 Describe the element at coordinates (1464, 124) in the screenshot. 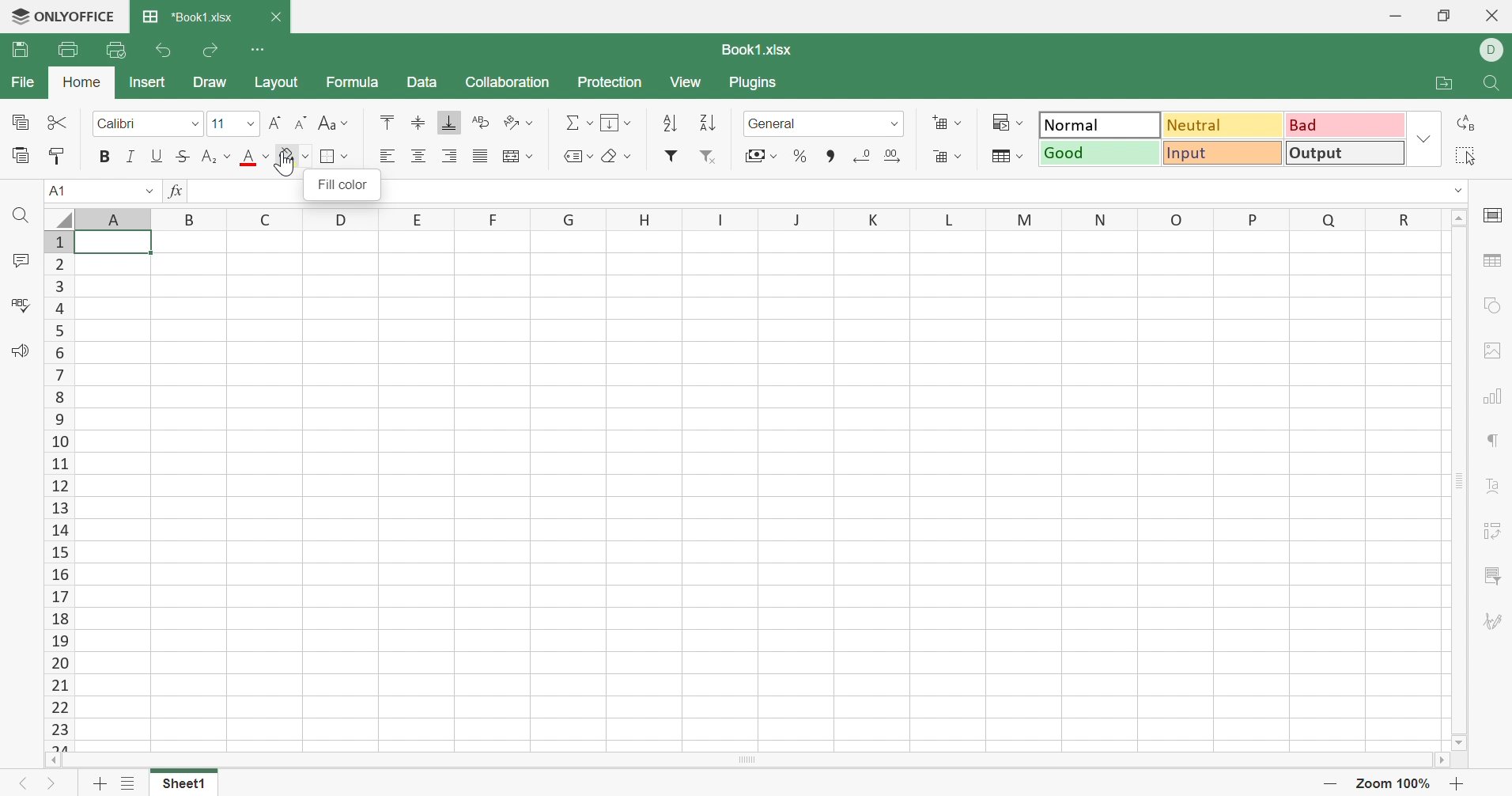

I see `Replace` at that location.